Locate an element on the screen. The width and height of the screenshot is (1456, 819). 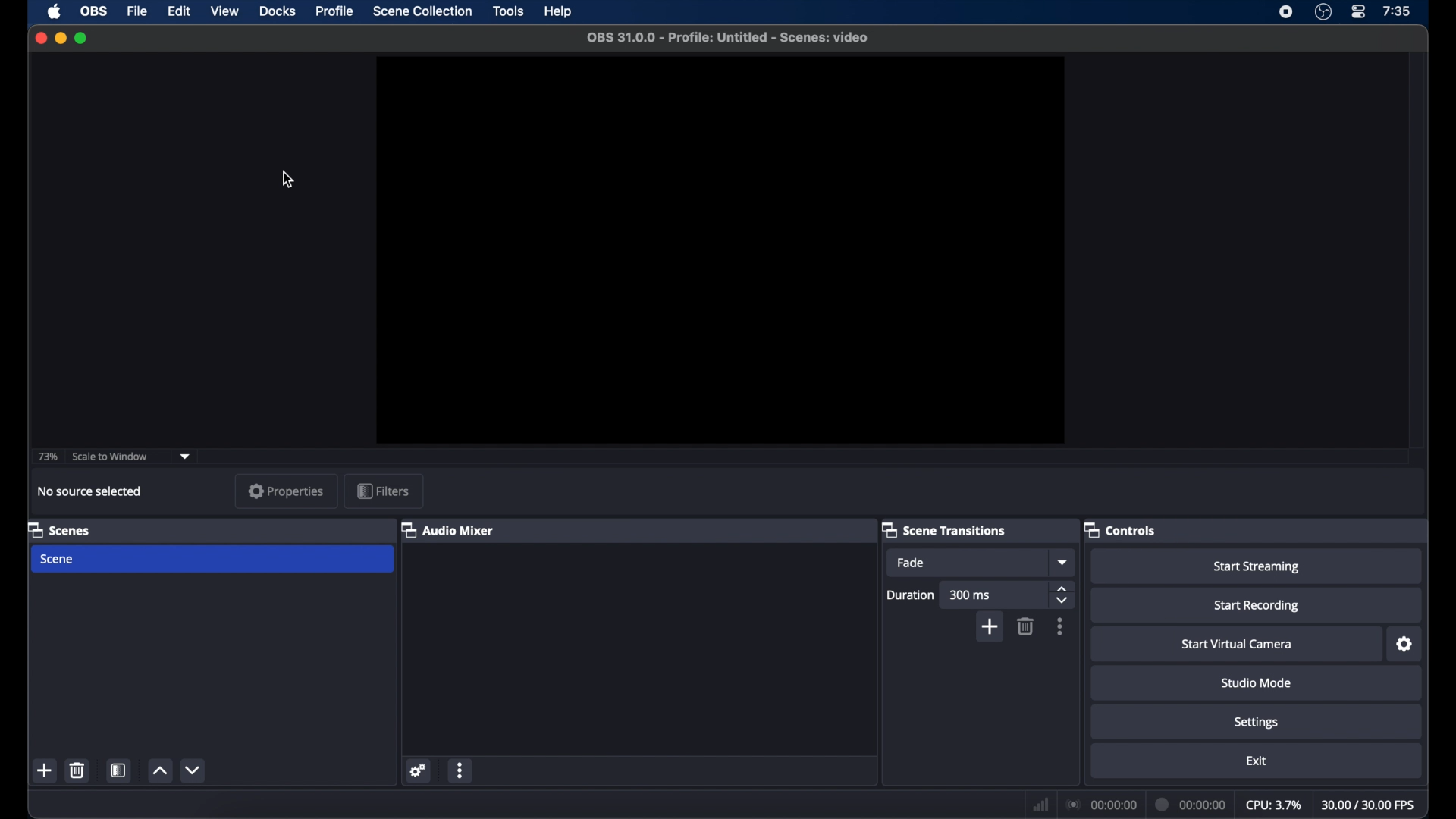
filters is located at coordinates (383, 491).